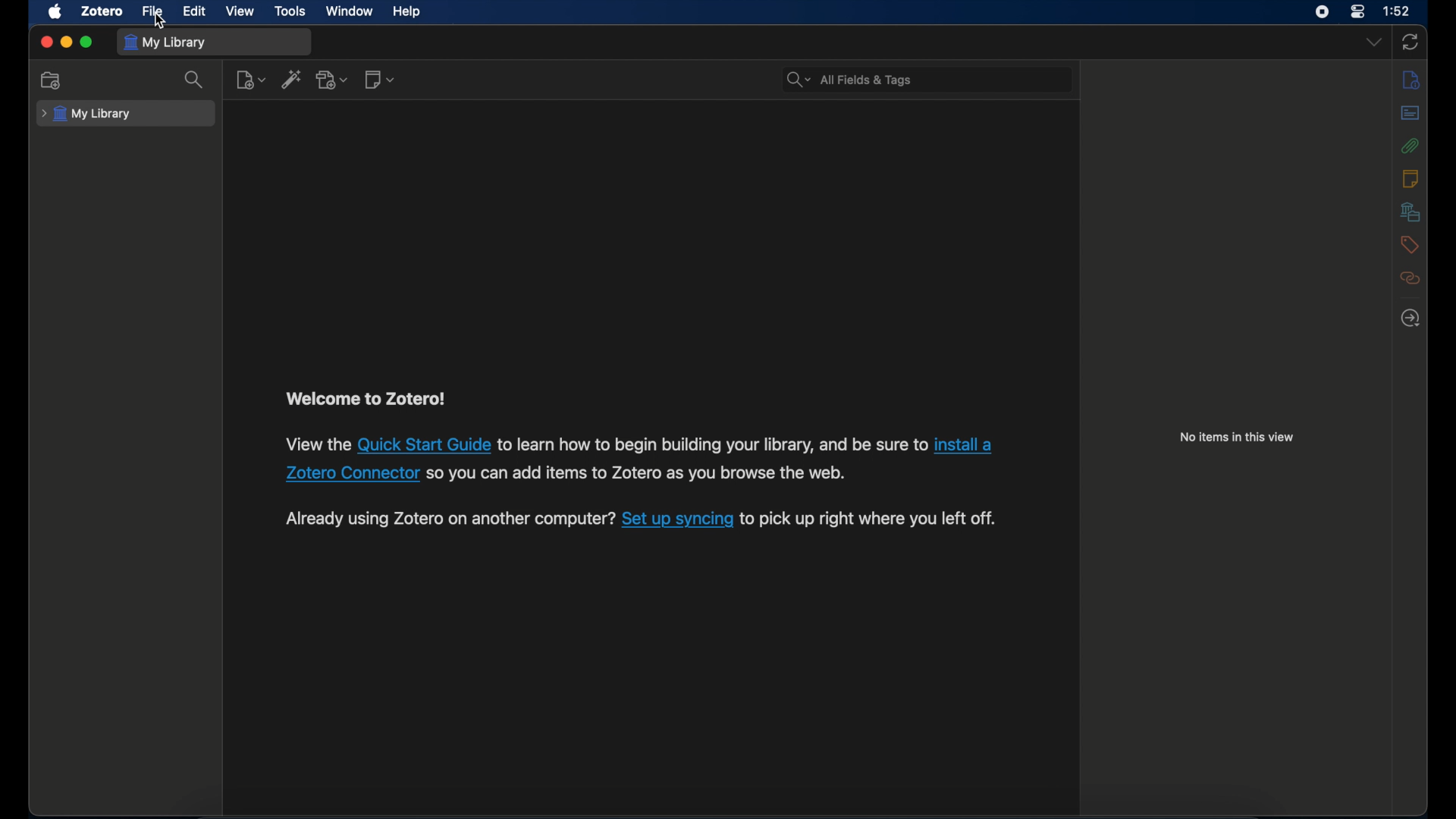  Describe the element at coordinates (152, 11) in the screenshot. I see `file` at that location.